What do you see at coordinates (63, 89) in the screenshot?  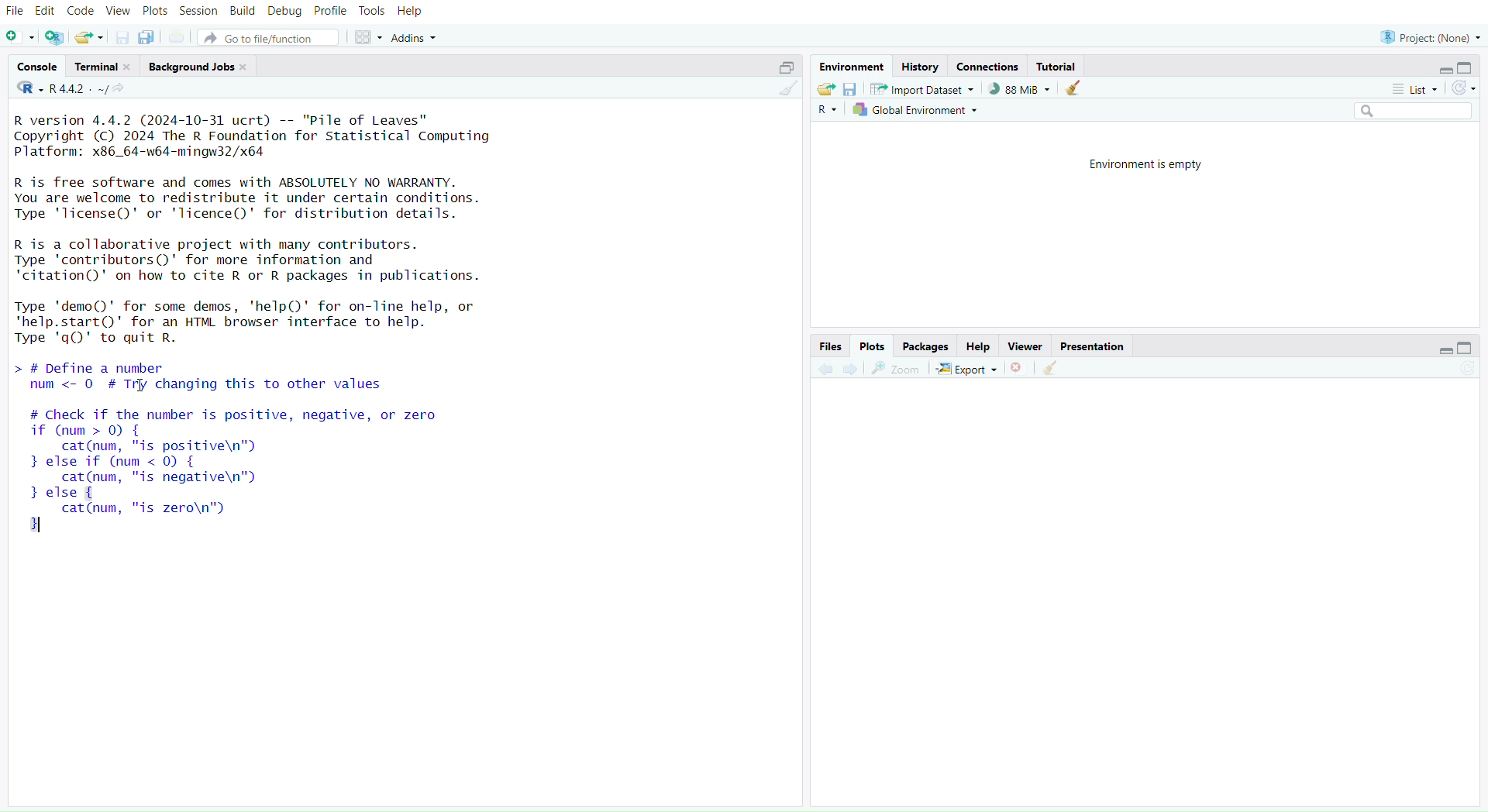 I see `R 4.4.2` at bounding box center [63, 89].